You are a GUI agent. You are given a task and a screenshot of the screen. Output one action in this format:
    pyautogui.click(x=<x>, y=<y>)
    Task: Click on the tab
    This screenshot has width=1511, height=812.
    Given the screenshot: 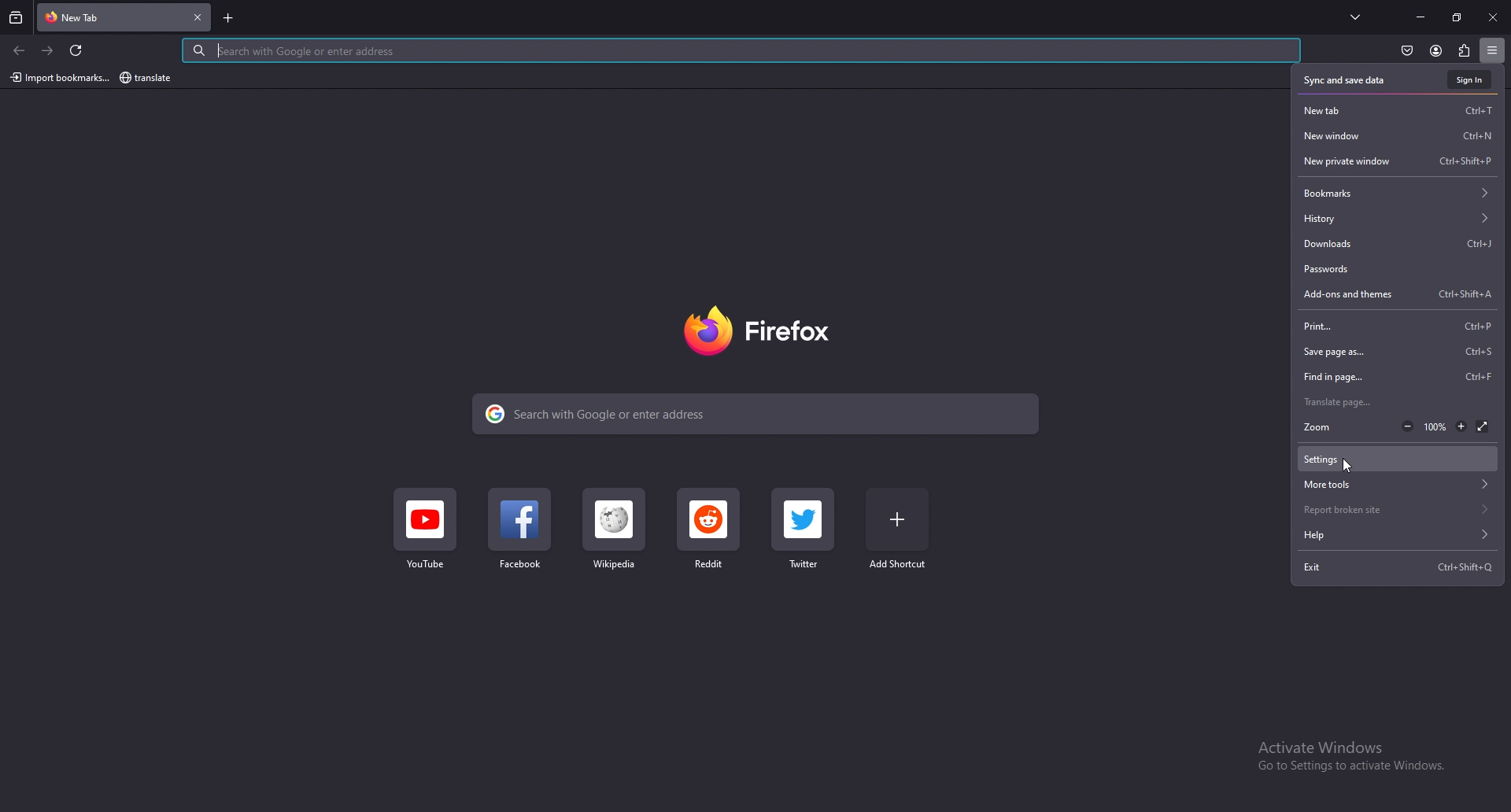 What is the action you would take?
    pyautogui.click(x=104, y=18)
    